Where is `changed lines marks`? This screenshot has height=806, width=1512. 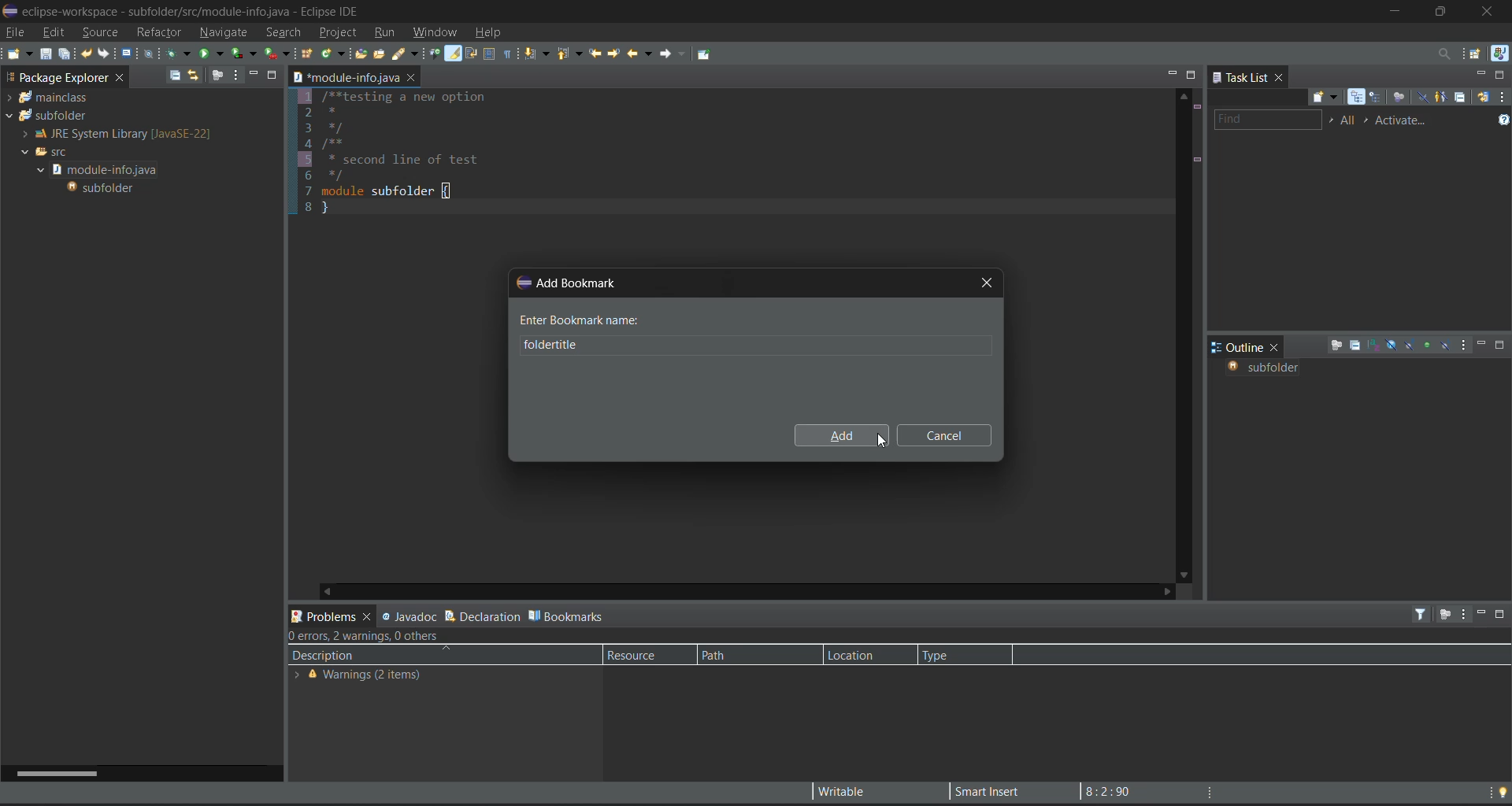
changed lines marks is located at coordinates (1196, 161).